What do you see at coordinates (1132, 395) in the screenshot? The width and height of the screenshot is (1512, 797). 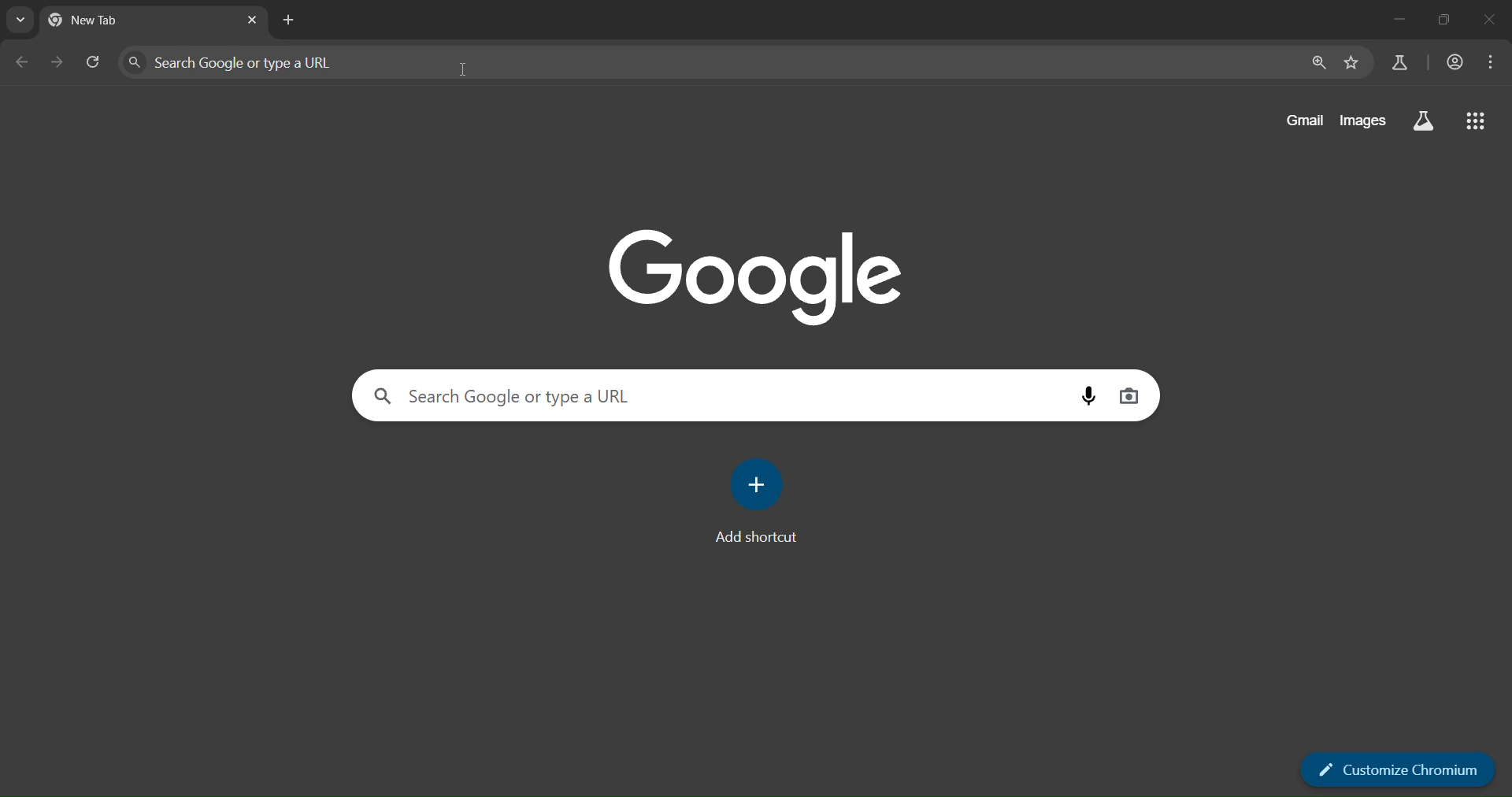 I see `image search ` at bounding box center [1132, 395].